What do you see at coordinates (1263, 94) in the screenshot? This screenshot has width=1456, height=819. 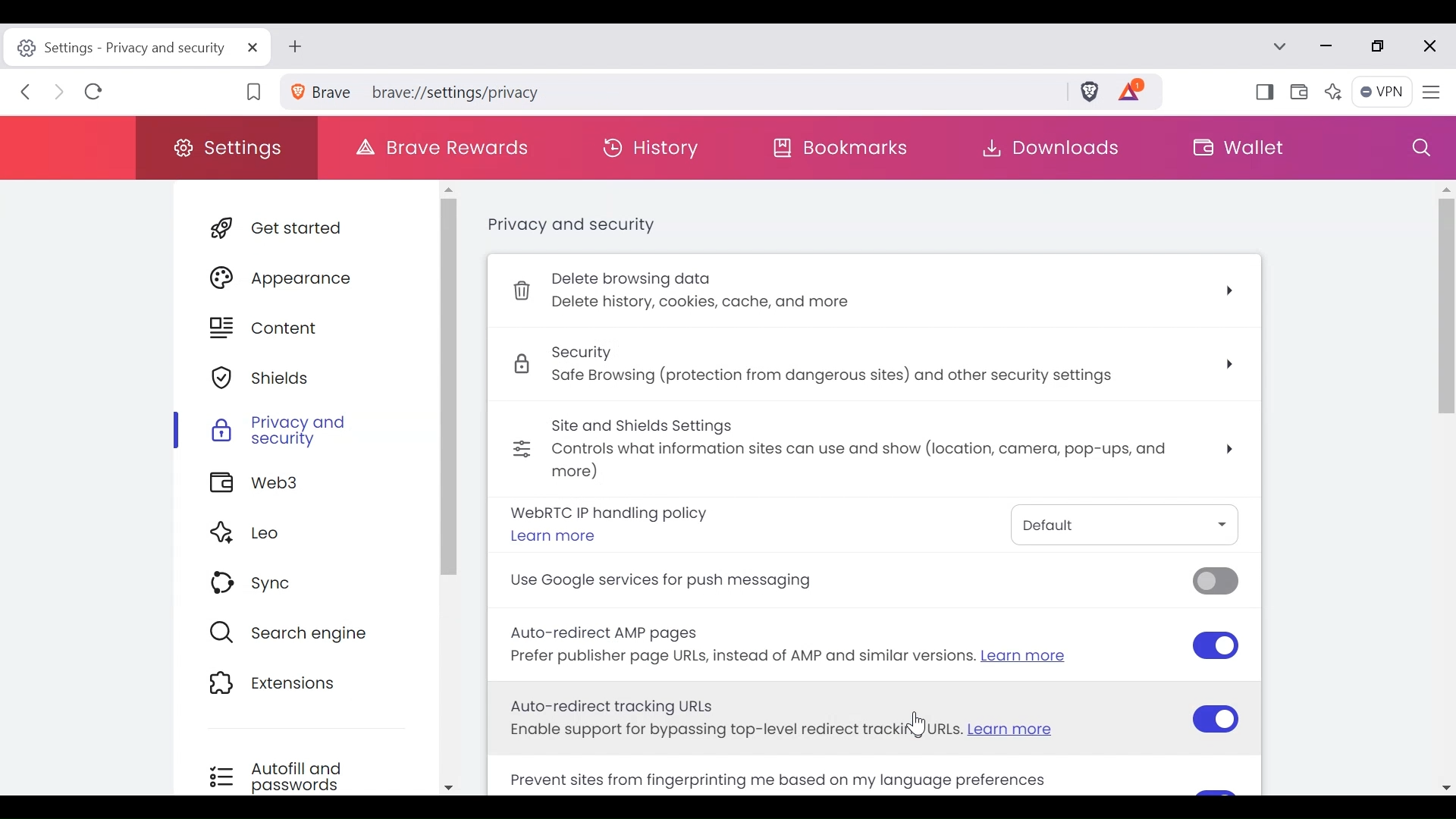 I see `Show/Hide Sidebar` at bounding box center [1263, 94].